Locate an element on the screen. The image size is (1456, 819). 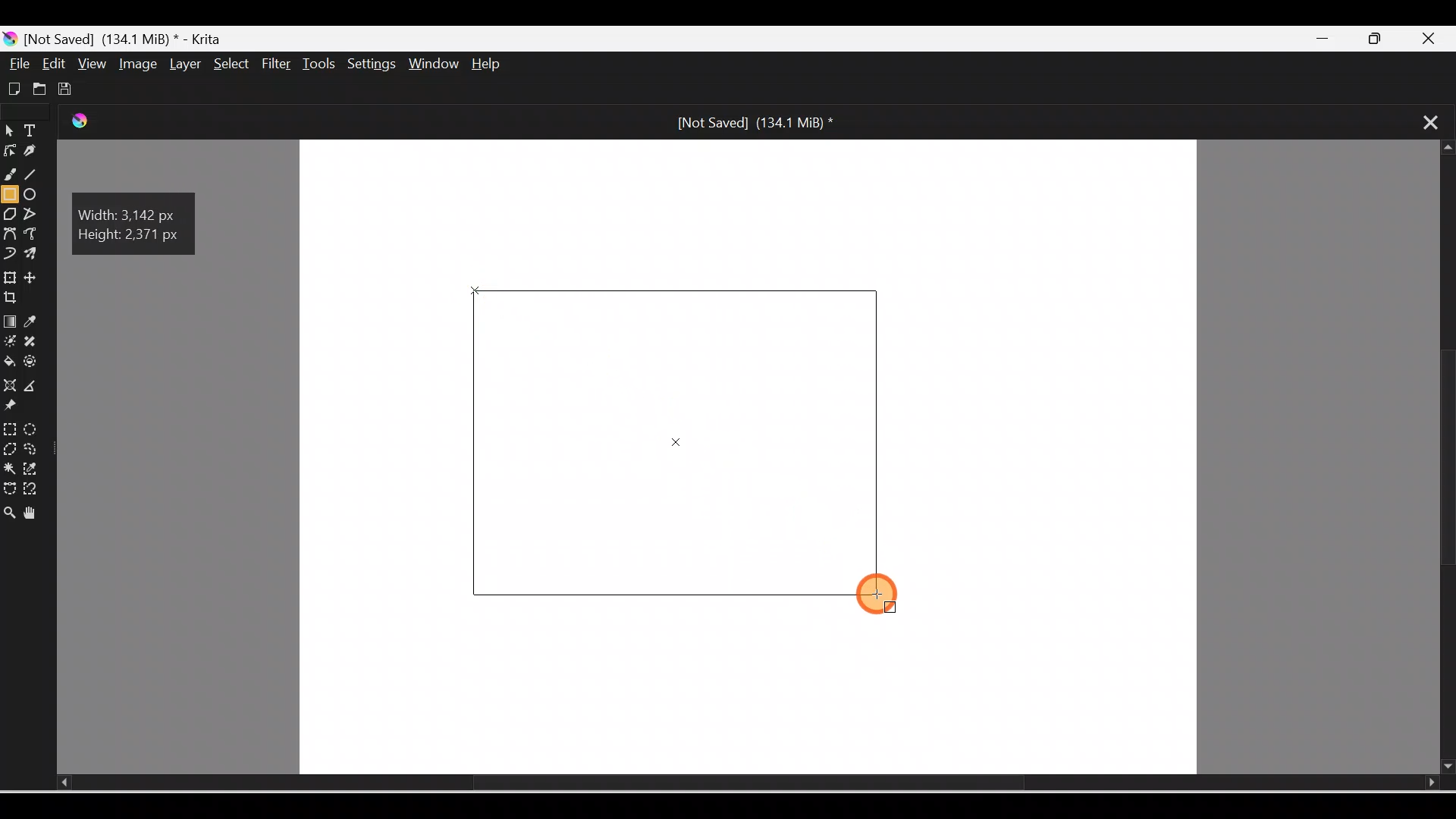
Save is located at coordinates (68, 86).